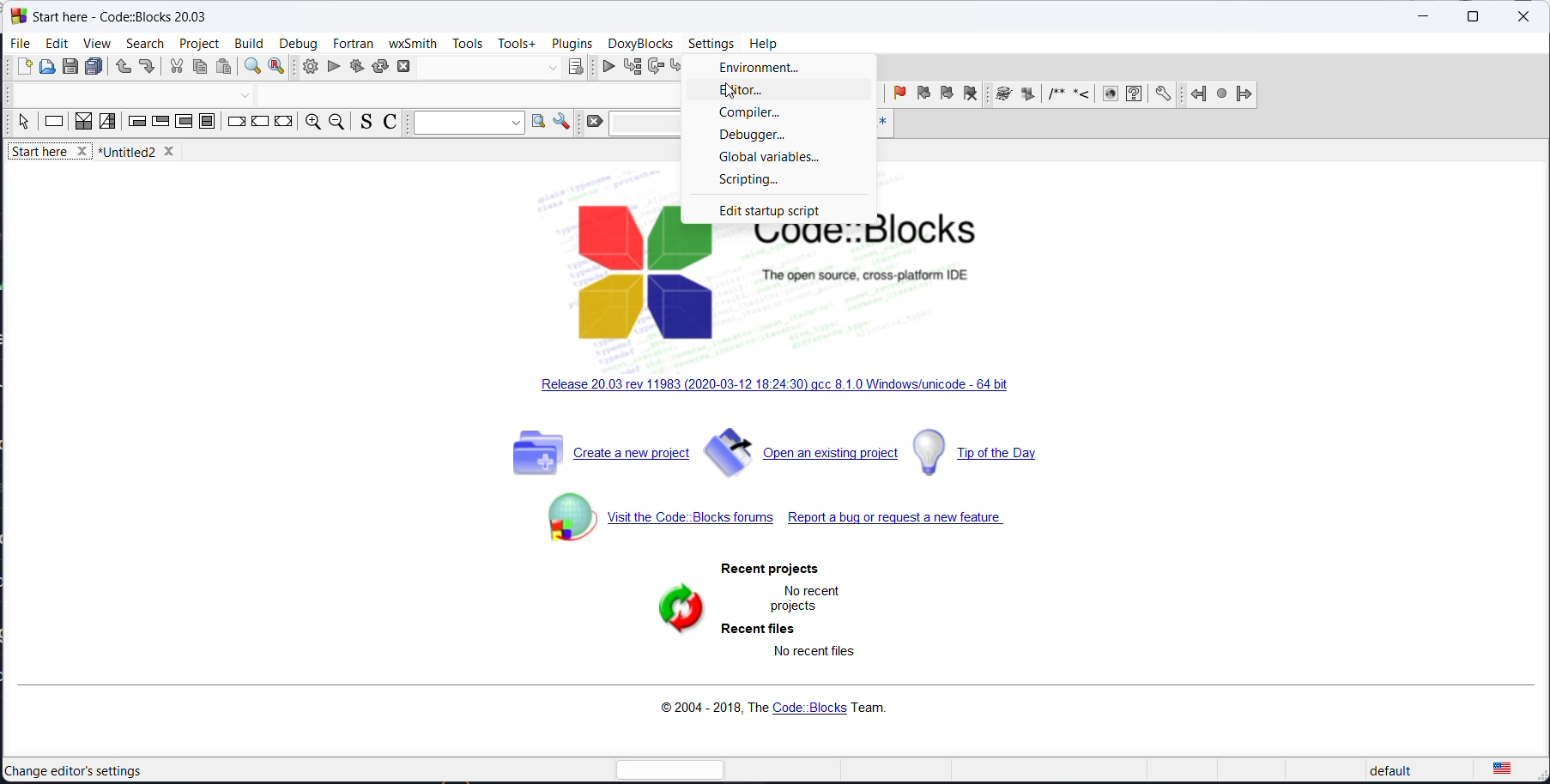 This screenshot has height=784, width=1550. Describe the element at coordinates (409, 65) in the screenshot. I see `abort` at that location.